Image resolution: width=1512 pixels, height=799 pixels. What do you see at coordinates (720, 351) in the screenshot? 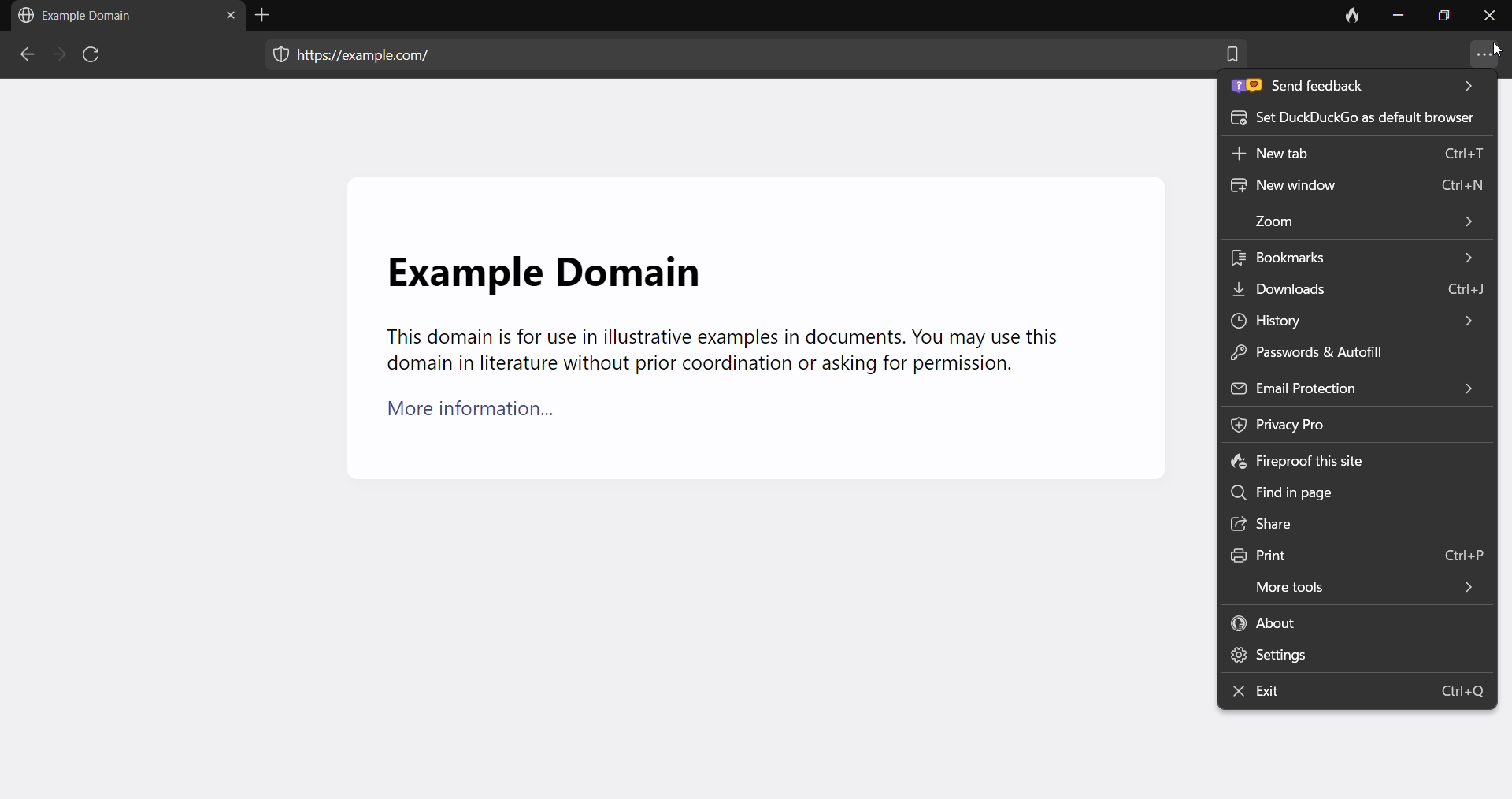
I see `This domain is for use in illustrative examples in documents. You may use this
domain in literature without prior coordination or asking for permission.` at bounding box center [720, 351].